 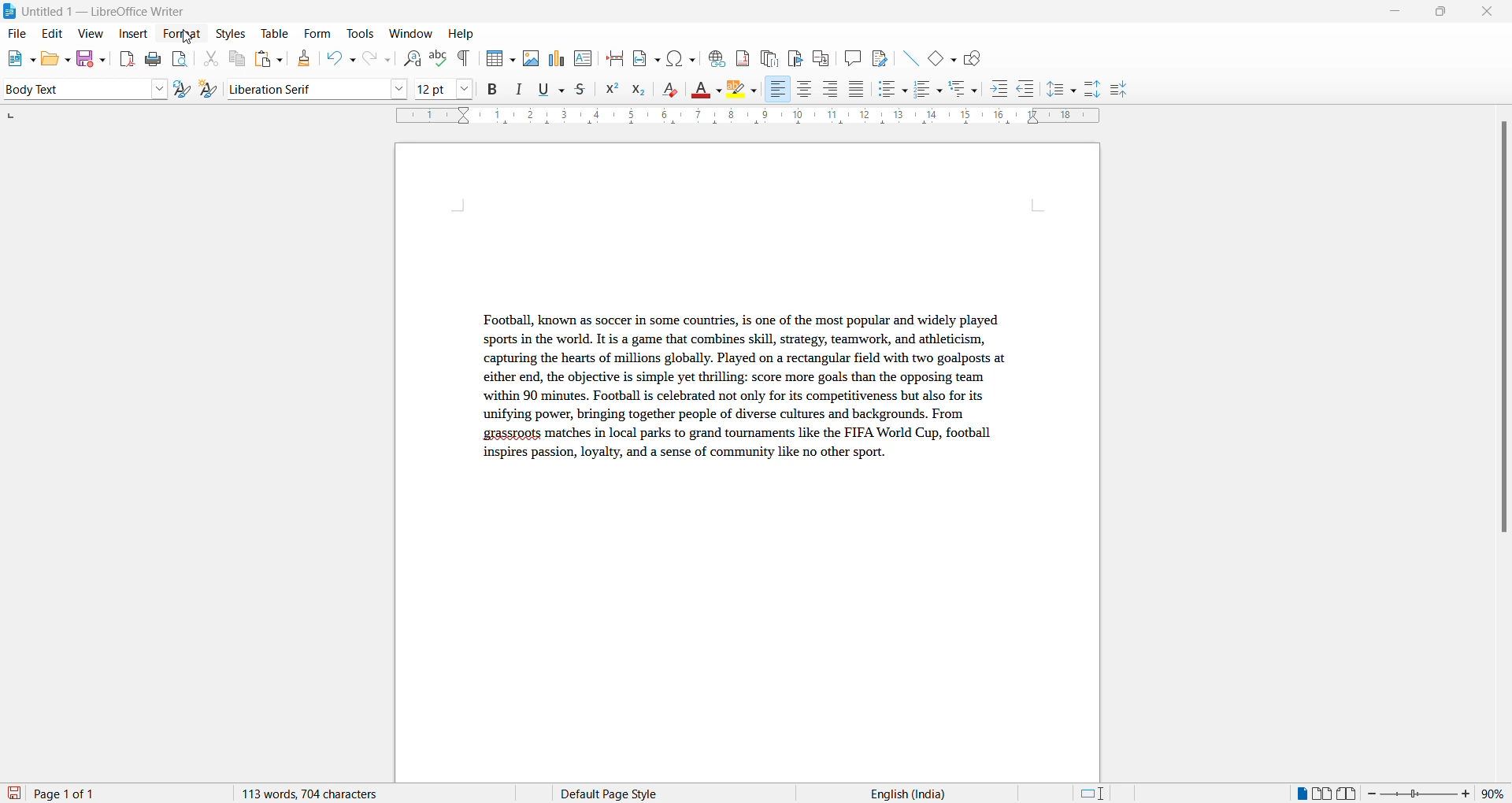 What do you see at coordinates (409, 57) in the screenshot?
I see `find and replace` at bounding box center [409, 57].